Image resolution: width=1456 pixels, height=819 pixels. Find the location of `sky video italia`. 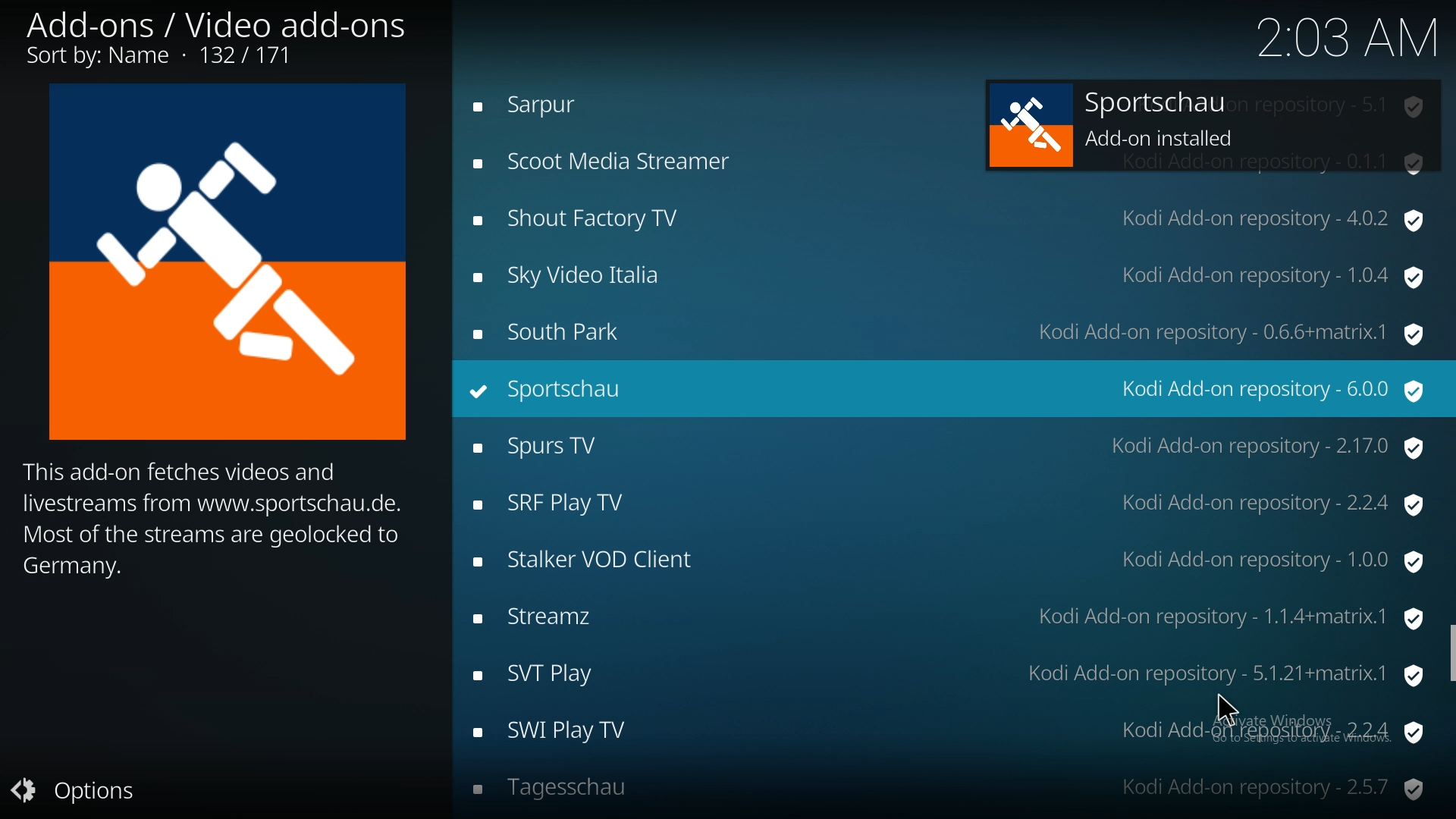

sky video italia is located at coordinates (954, 273).